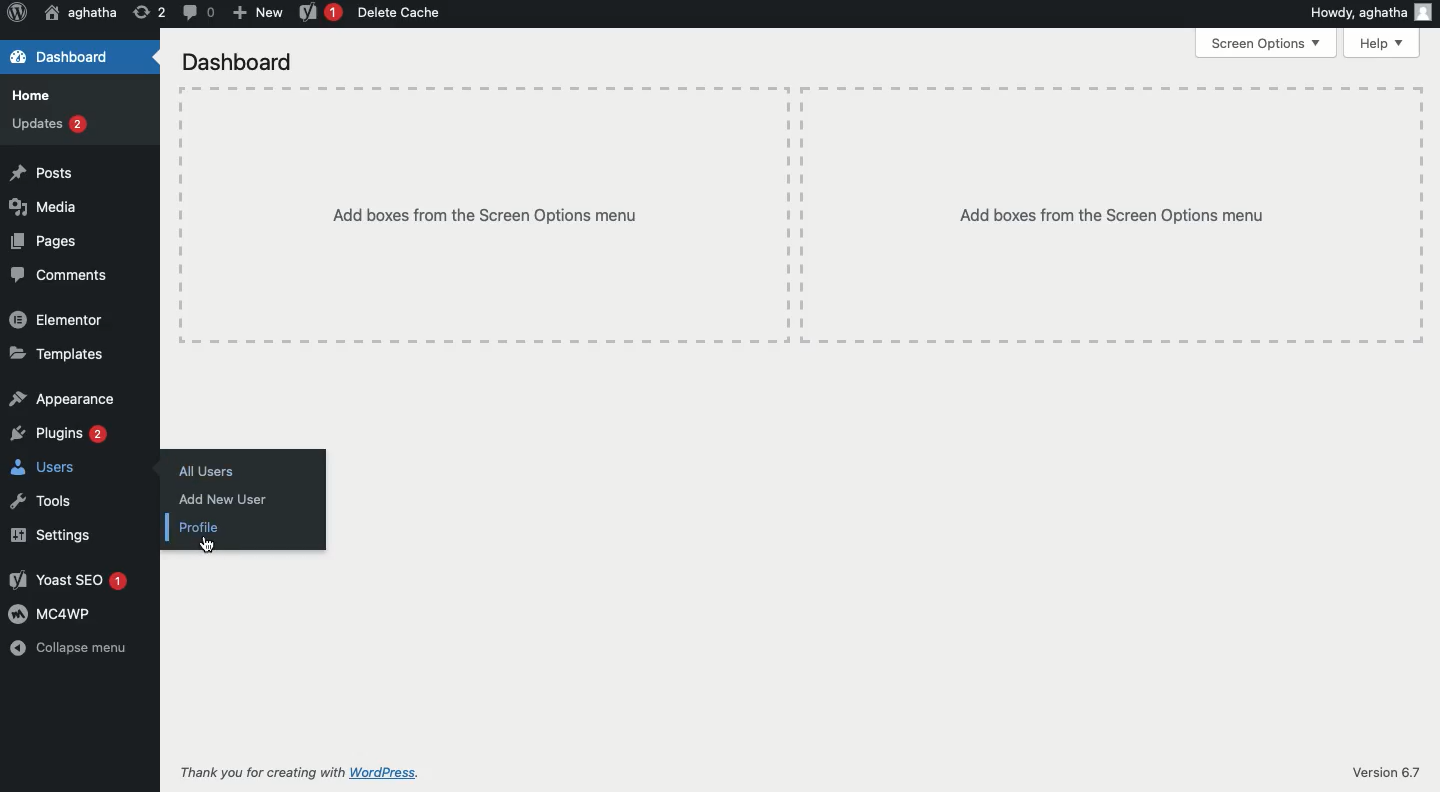  Describe the element at coordinates (206, 547) in the screenshot. I see `Cursor` at that location.